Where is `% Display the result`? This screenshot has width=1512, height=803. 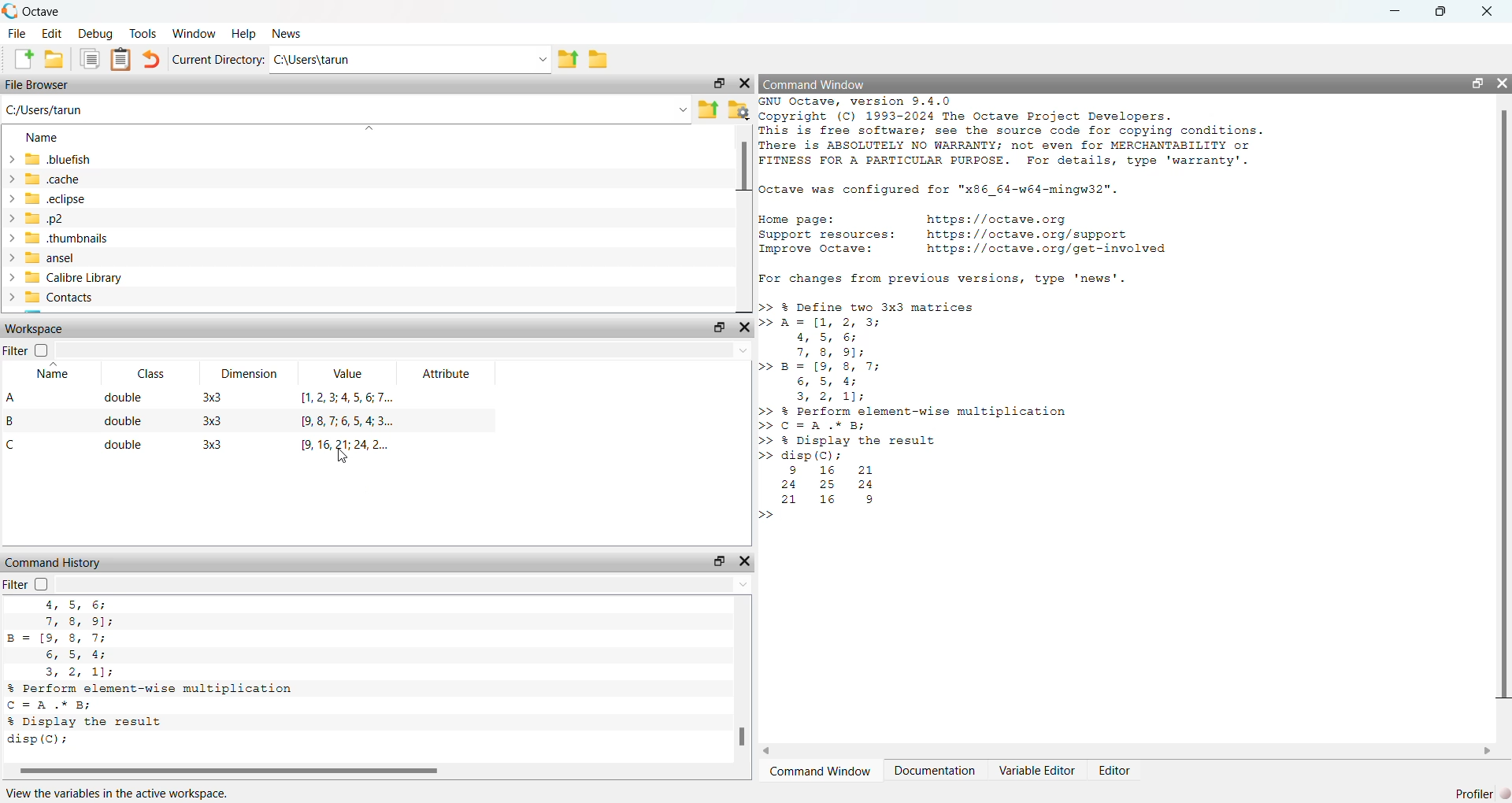
% Display the result is located at coordinates (90, 721).